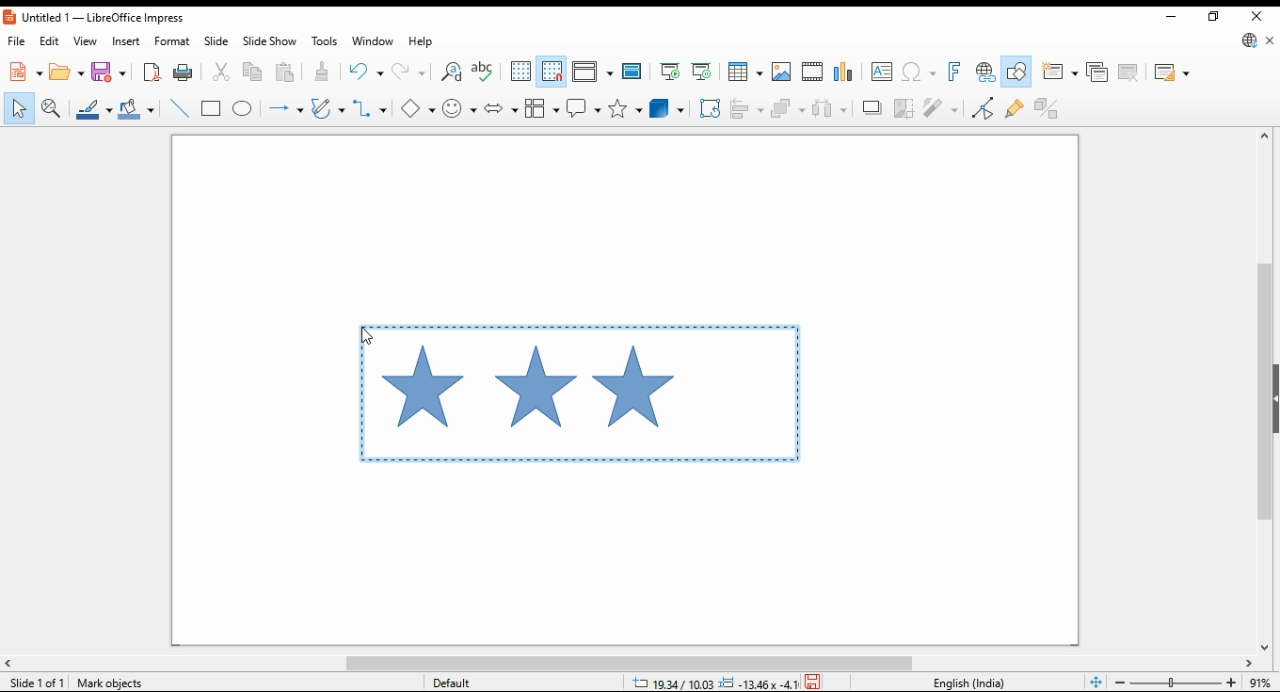 This screenshot has height=692, width=1280. Describe the element at coordinates (325, 70) in the screenshot. I see `paste` at that location.